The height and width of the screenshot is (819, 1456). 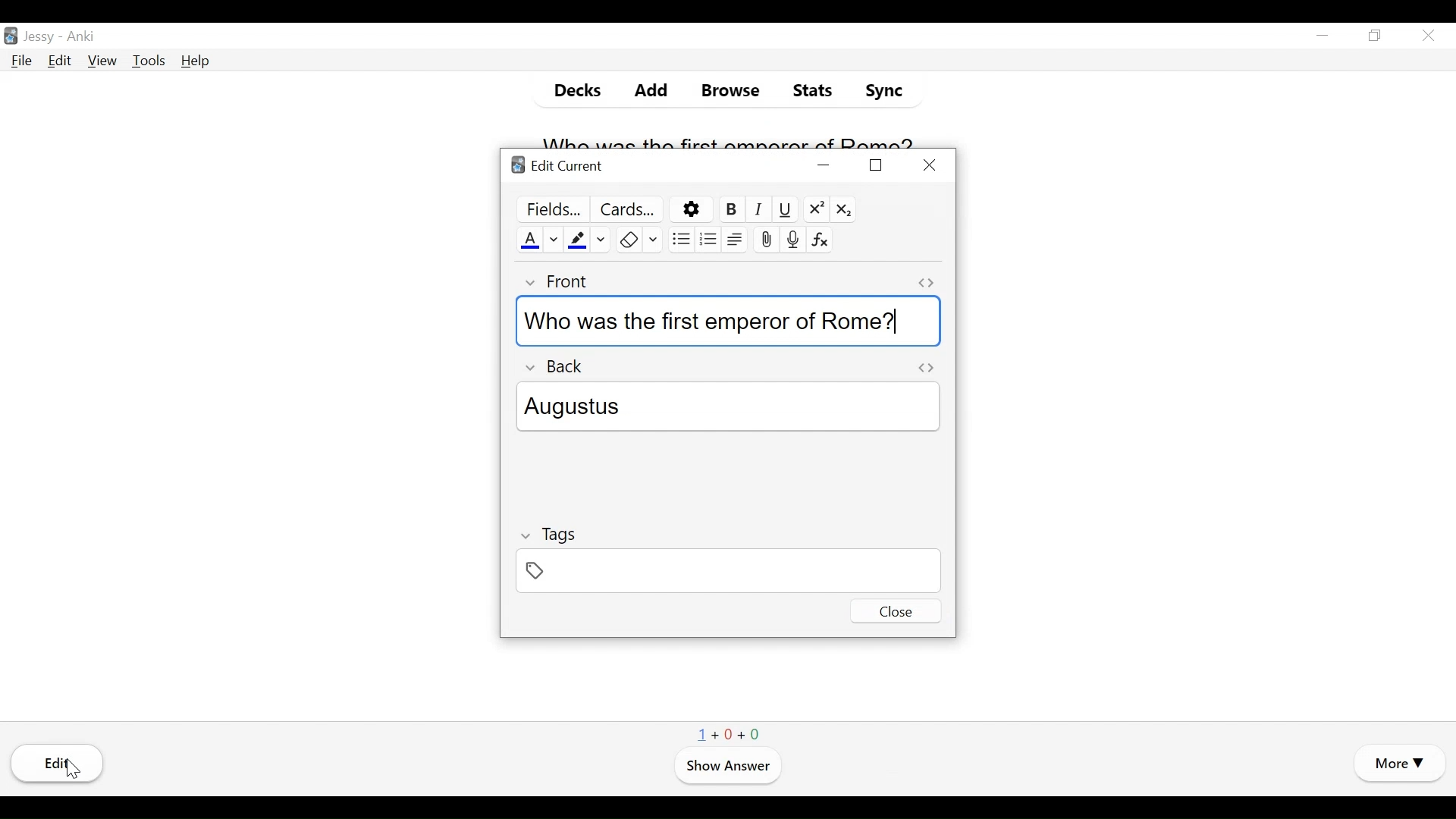 What do you see at coordinates (21, 61) in the screenshot?
I see `File` at bounding box center [21, 61].